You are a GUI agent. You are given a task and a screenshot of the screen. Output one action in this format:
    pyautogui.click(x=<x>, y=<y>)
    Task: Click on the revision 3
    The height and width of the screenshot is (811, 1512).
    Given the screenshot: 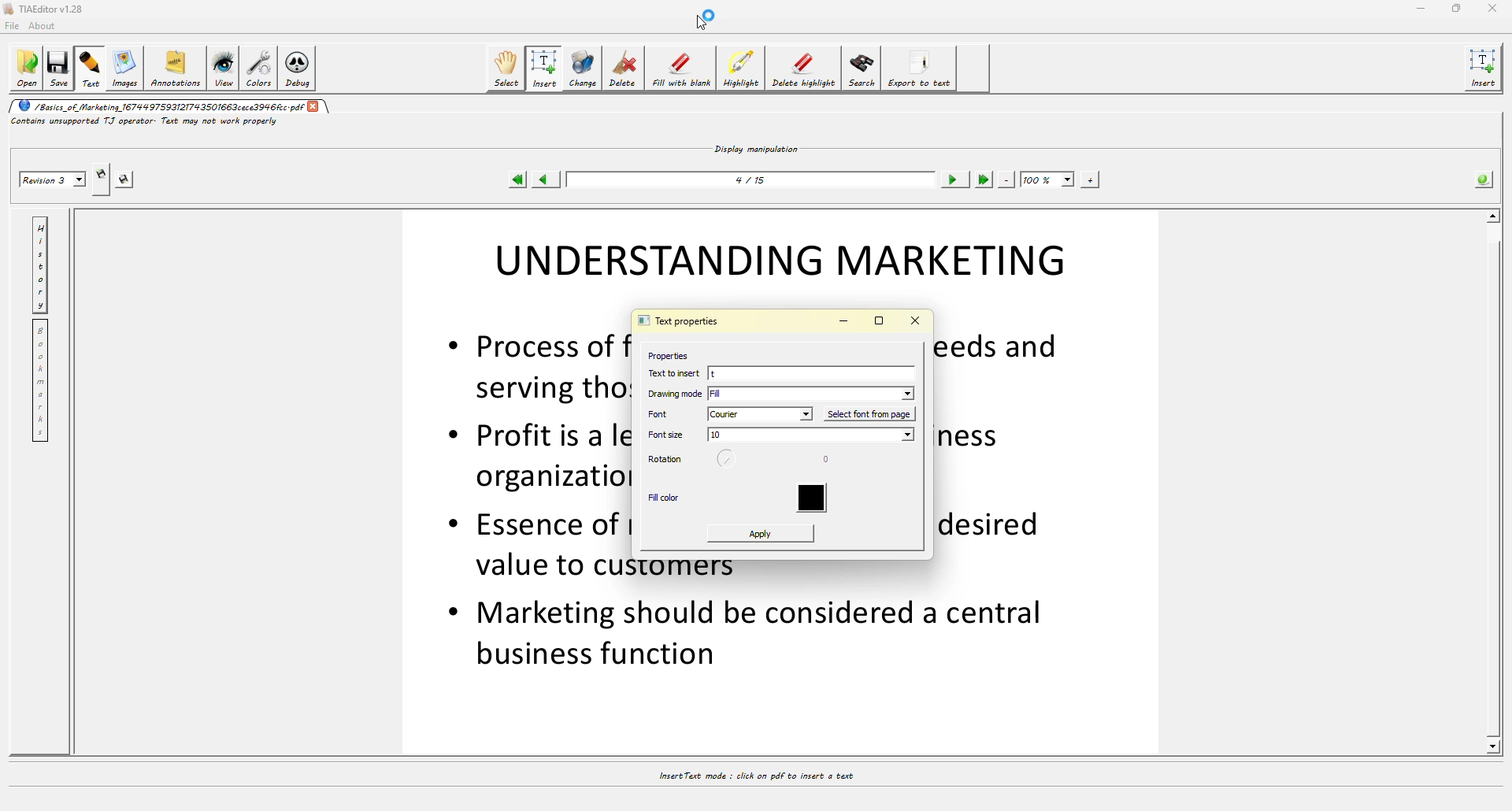 What is the action you would take?
    pyautogui.click(x=52, y=181)
    